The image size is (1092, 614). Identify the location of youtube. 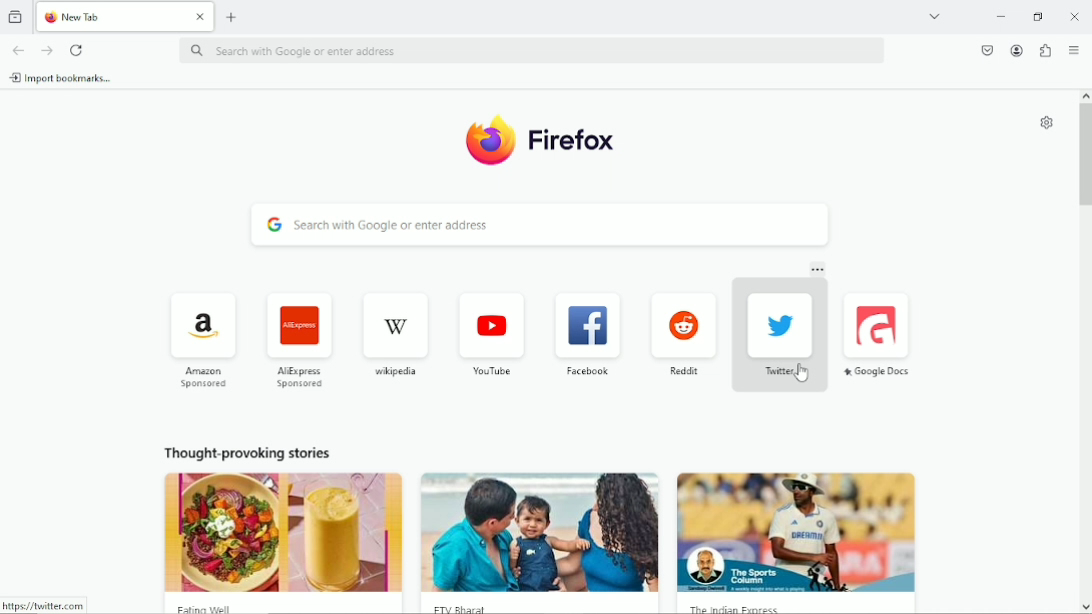
(491, 331).